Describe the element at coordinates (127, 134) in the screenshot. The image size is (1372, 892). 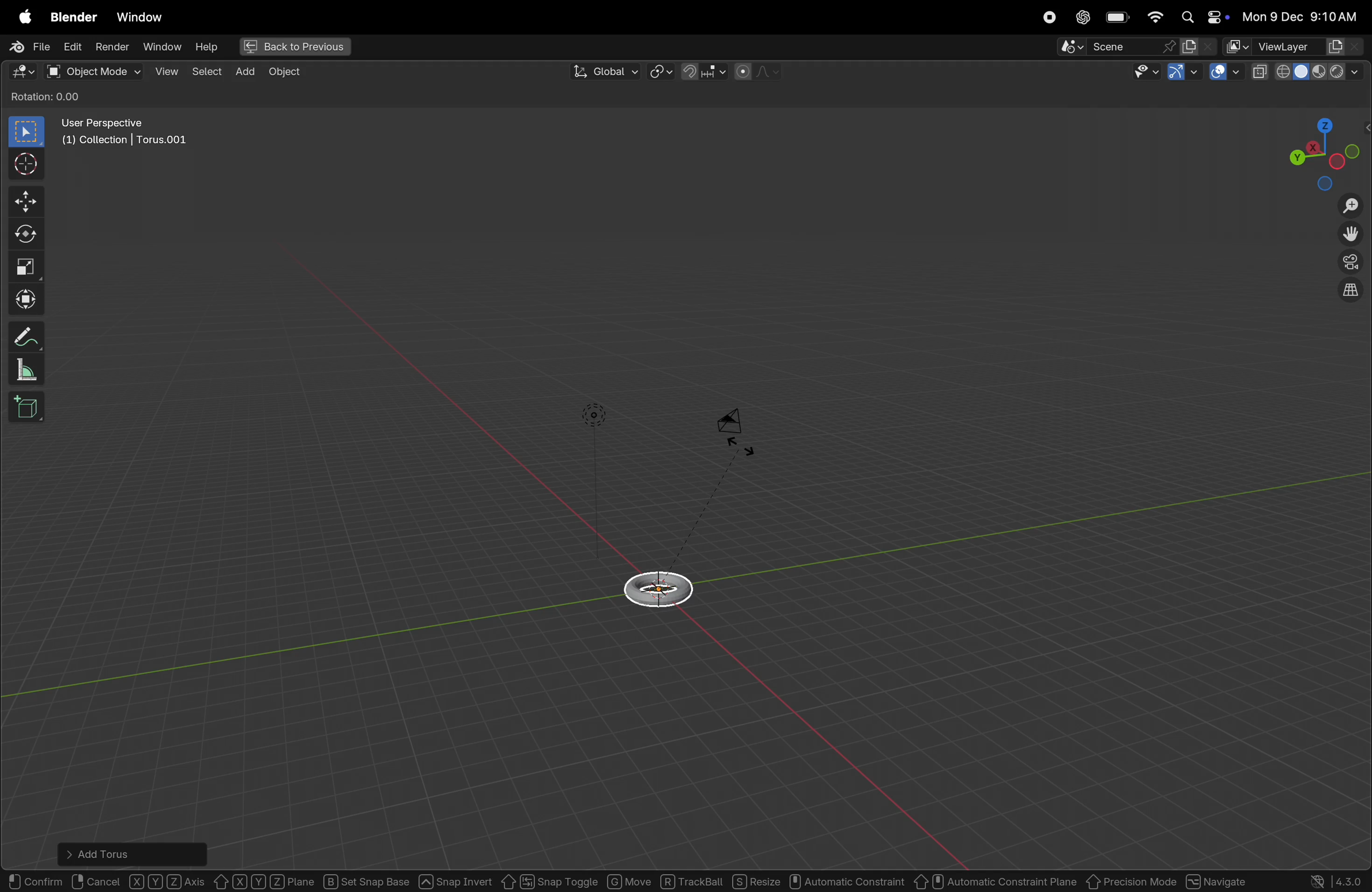
I see `user perspectivr` at that location.